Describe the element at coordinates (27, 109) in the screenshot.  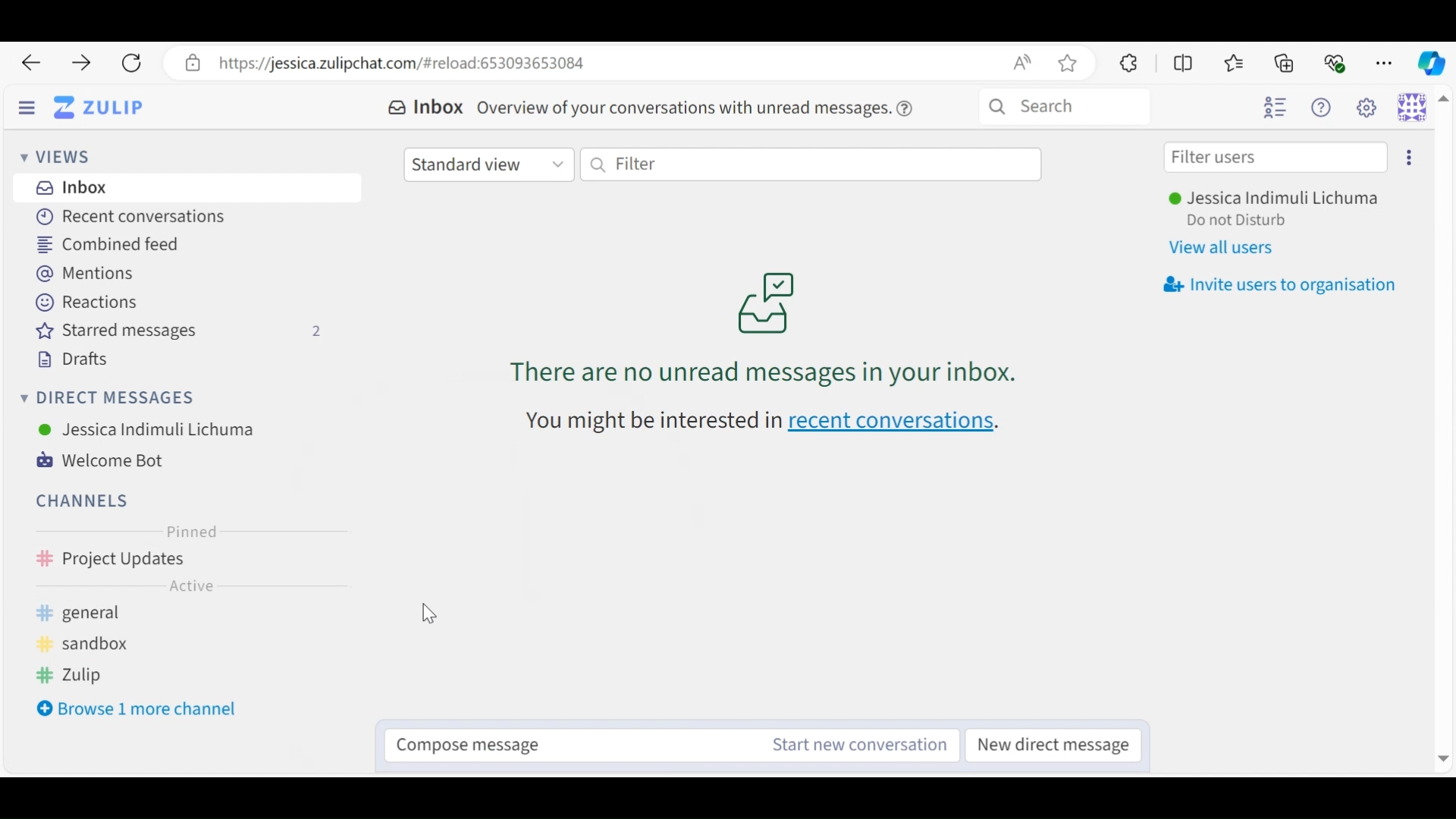
I see `Hide ` at that location.